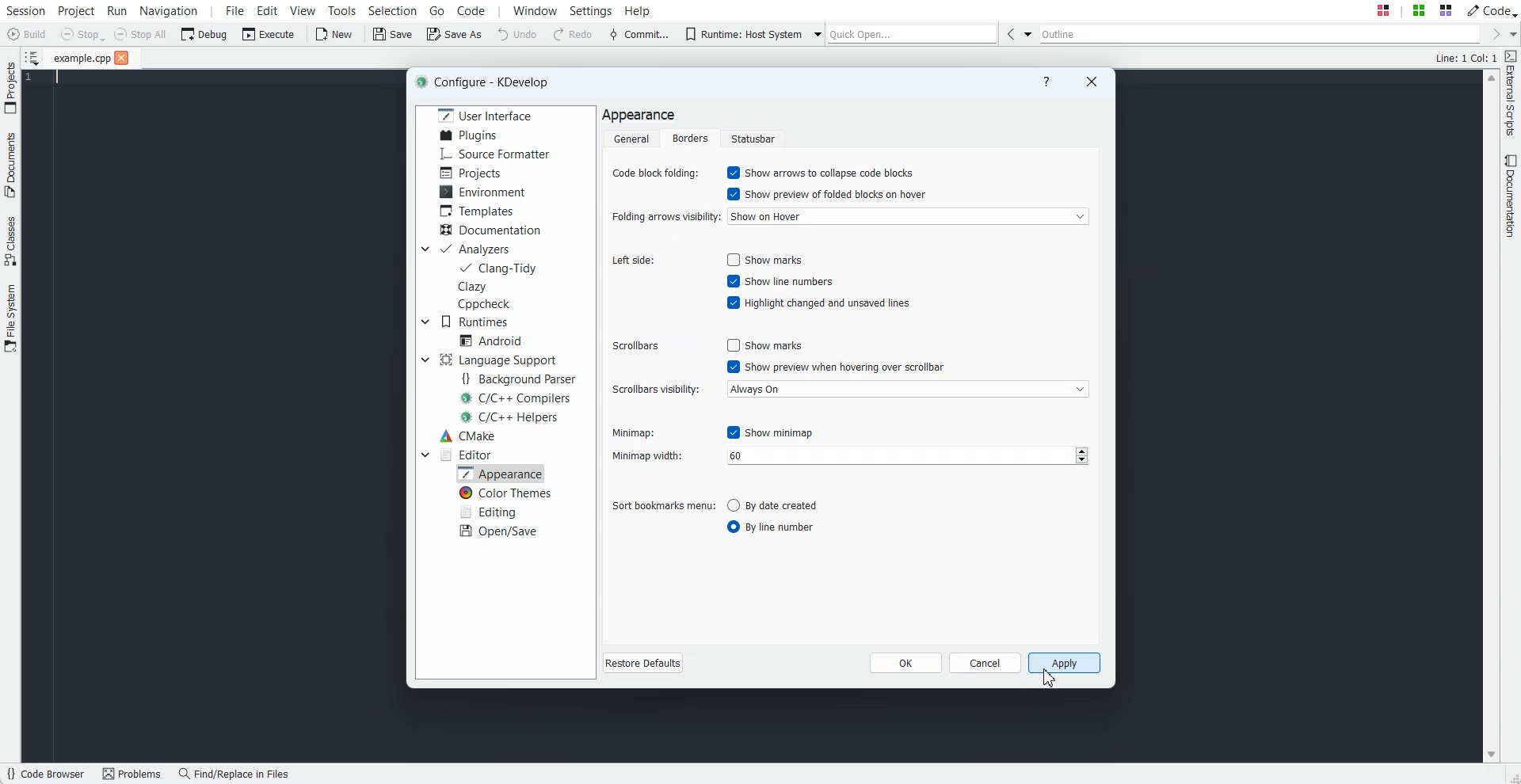 This screenshot has width=1521, height=784. Describe the element at coordinates (633, 433) in the screenshot. I see `Minimap` at that location.